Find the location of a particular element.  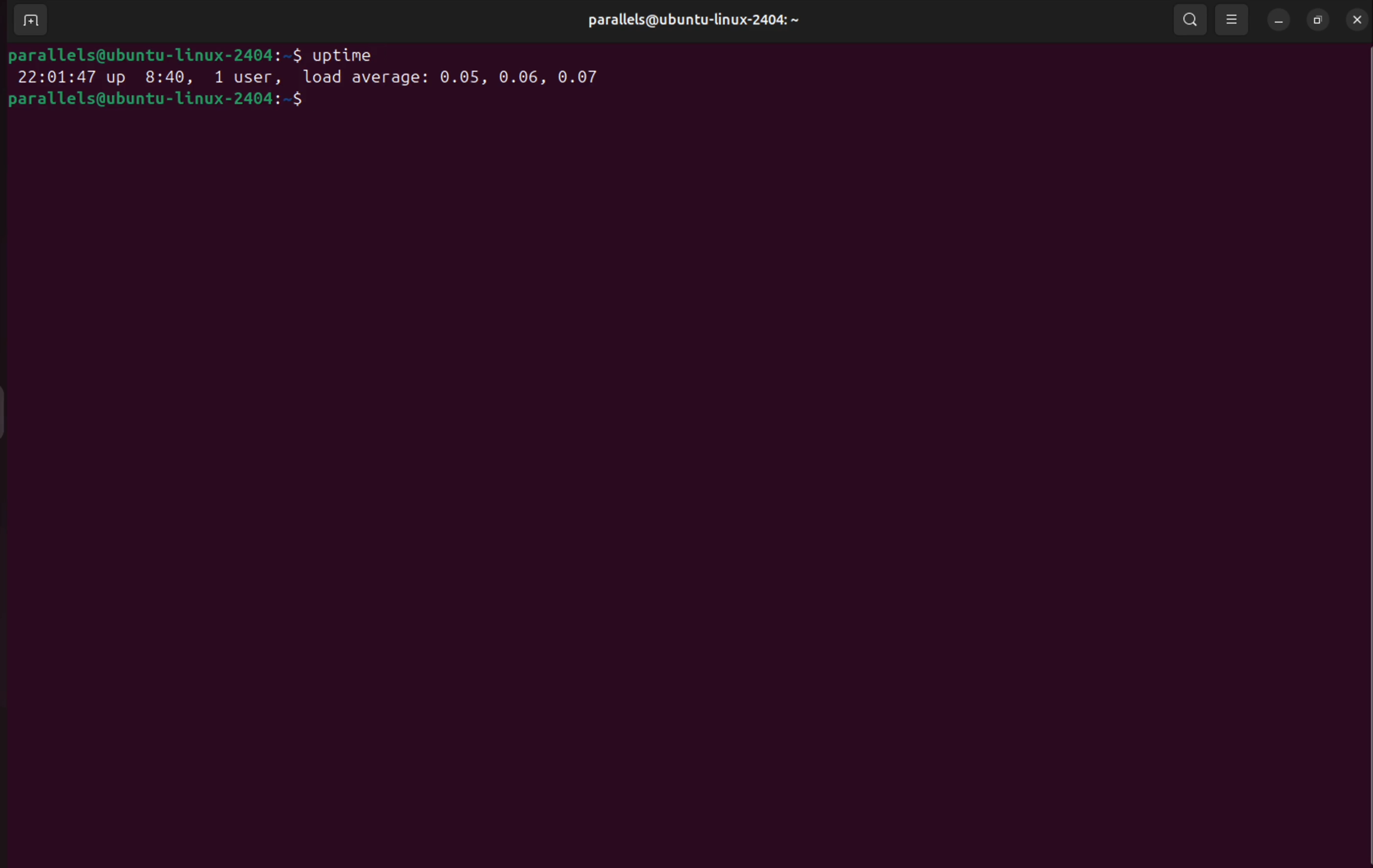

0.07 is located at coordinates (583, 76).